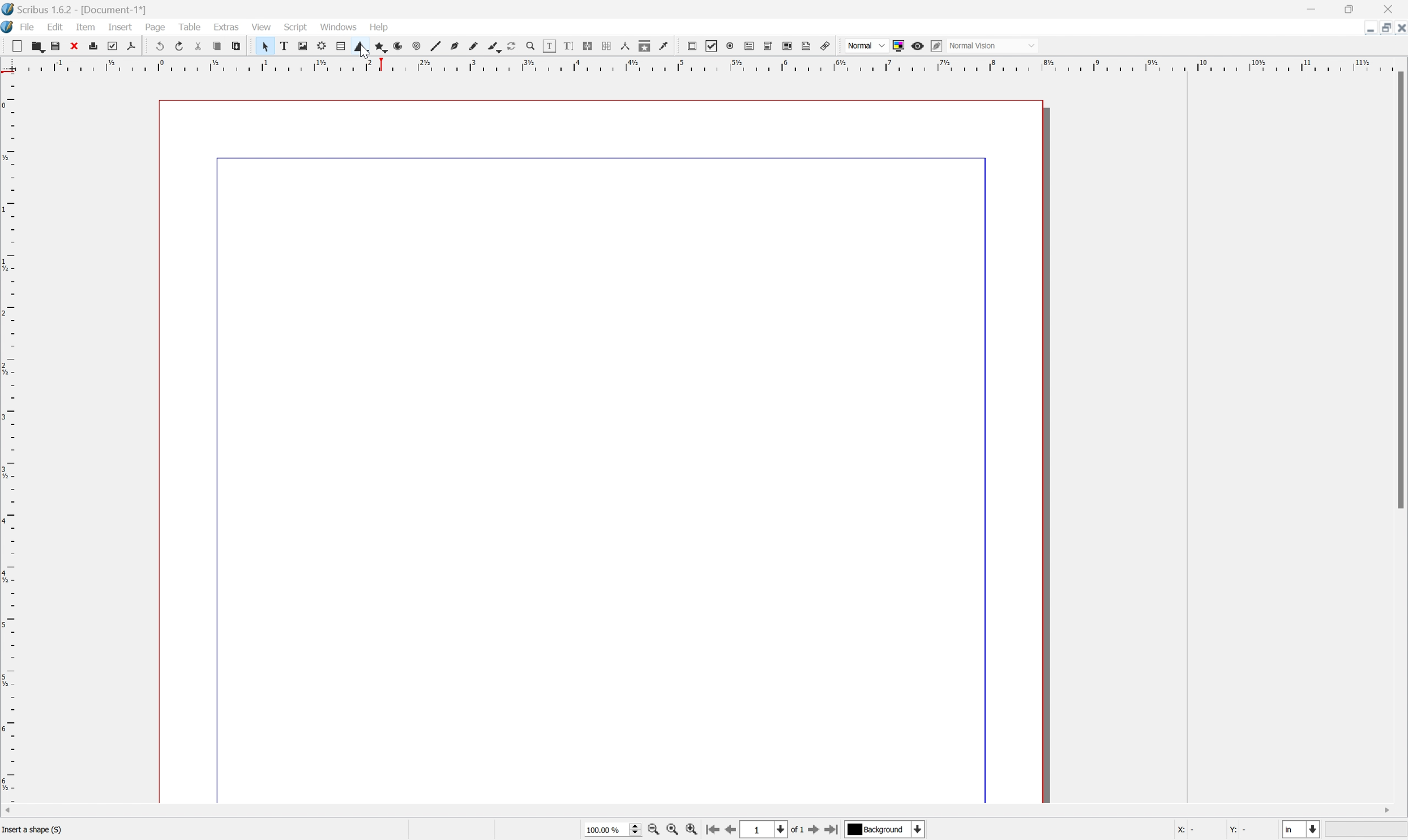 This screenshot has height=840, width=1408. Describe the element at coordinates (32, 832) in the screenshot. I see `Insert a shape (S)` at that location.